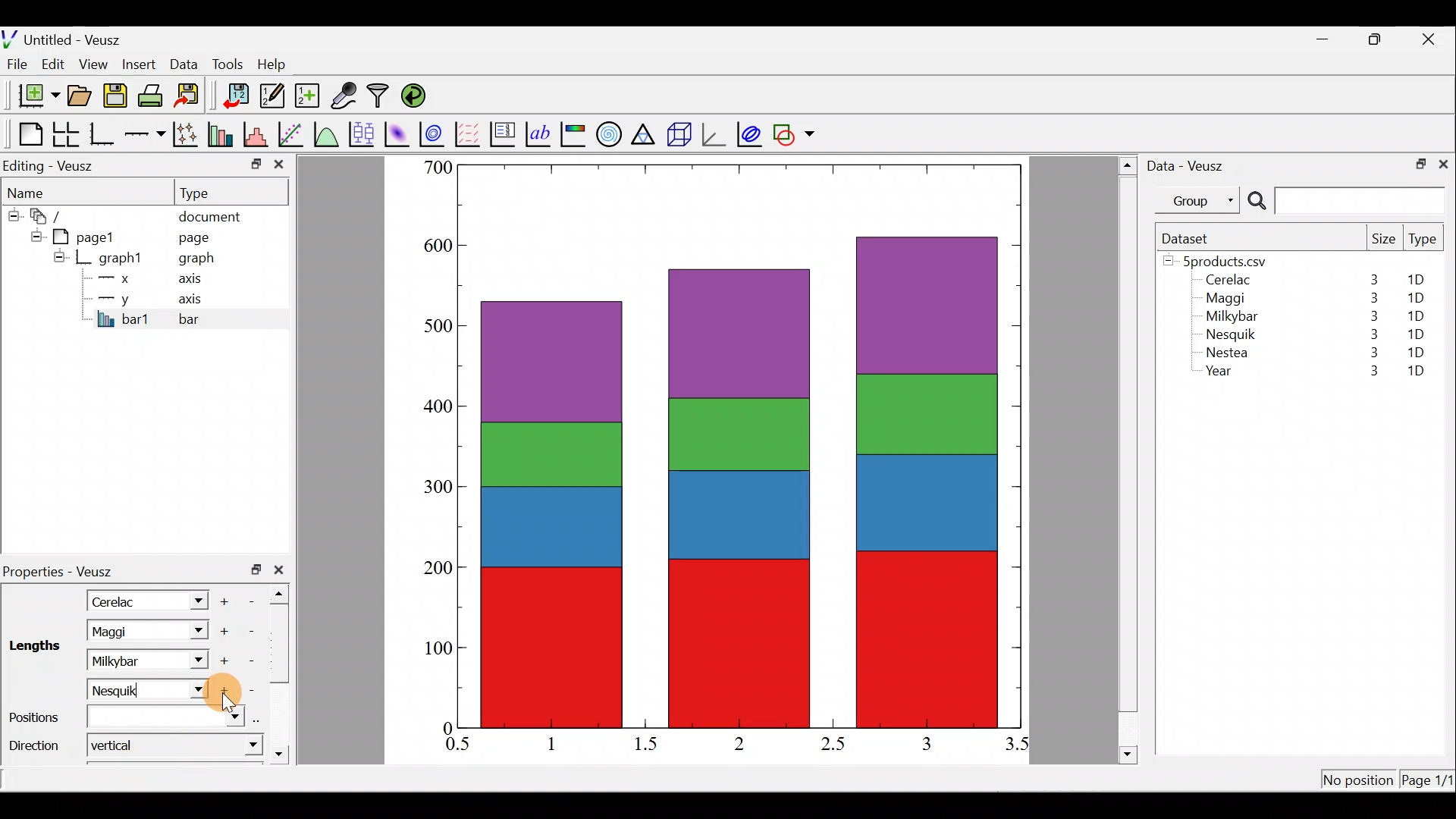 Image resolution: width=1456 pixels, height=819 pixels. Describe the element at coordinates (194, 631) in the screenshot. I see `Length dropdown` at that location.